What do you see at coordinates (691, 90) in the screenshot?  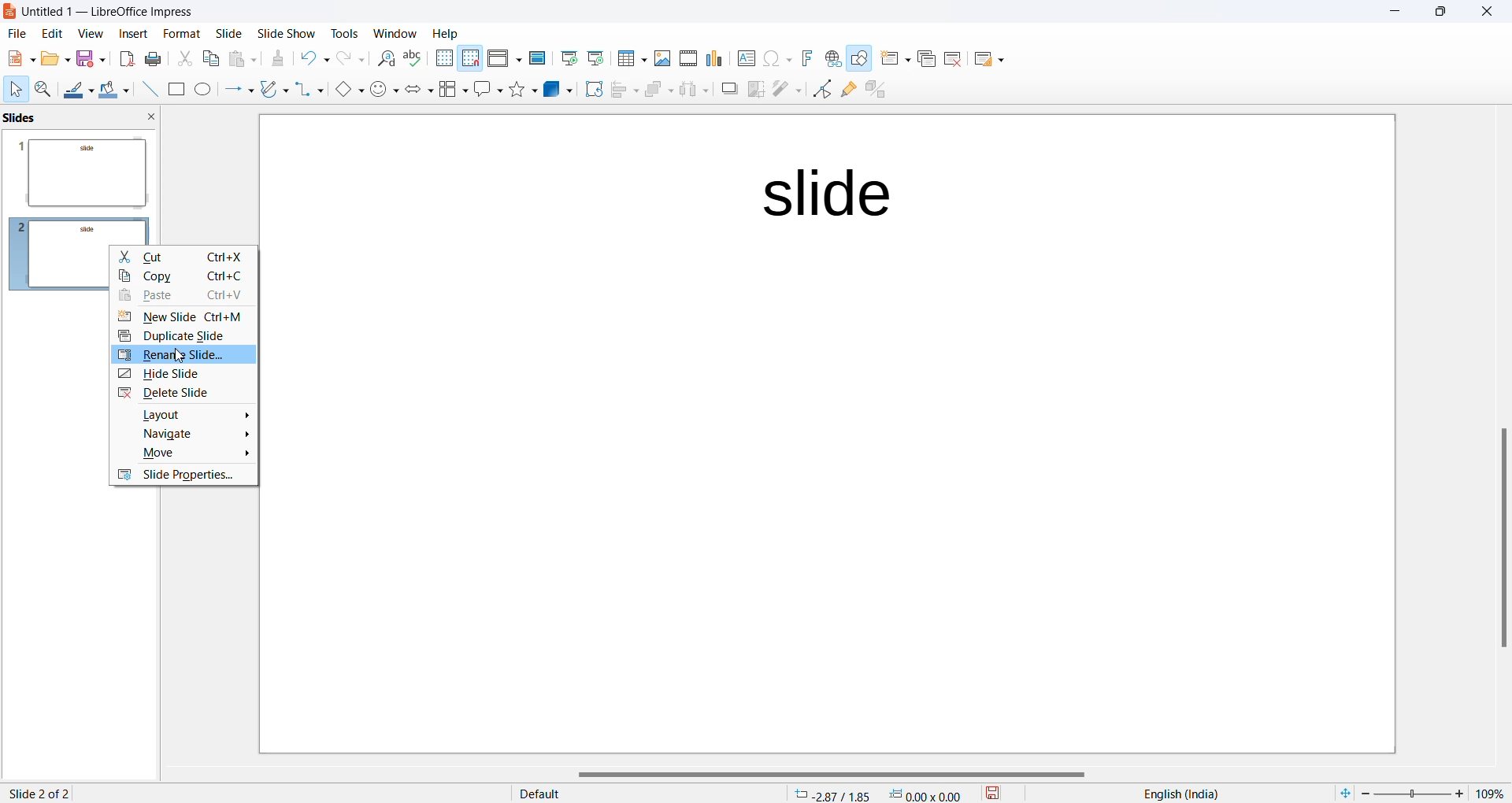 I see `Object distribution` at bounding box center [691, 90].